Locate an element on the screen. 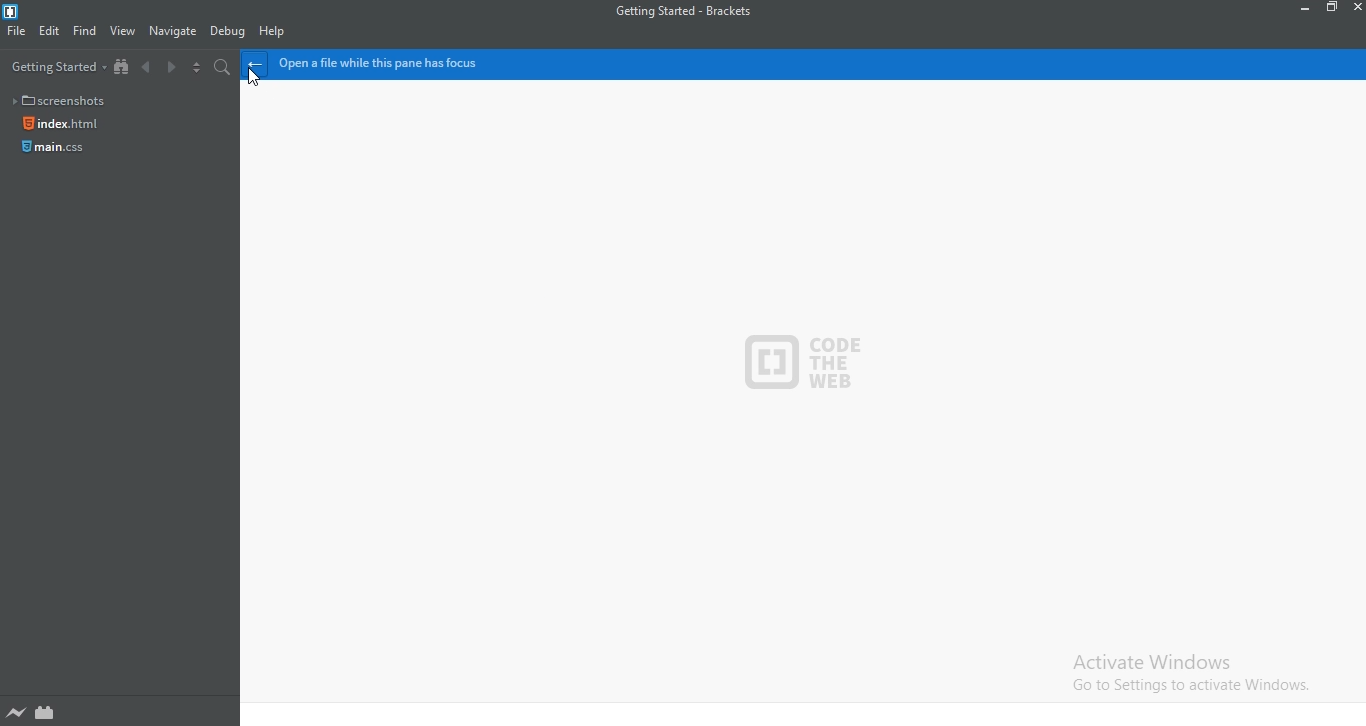 The width and height of the screenshot is (1366, 726). File is located at coordinates (17, 31).